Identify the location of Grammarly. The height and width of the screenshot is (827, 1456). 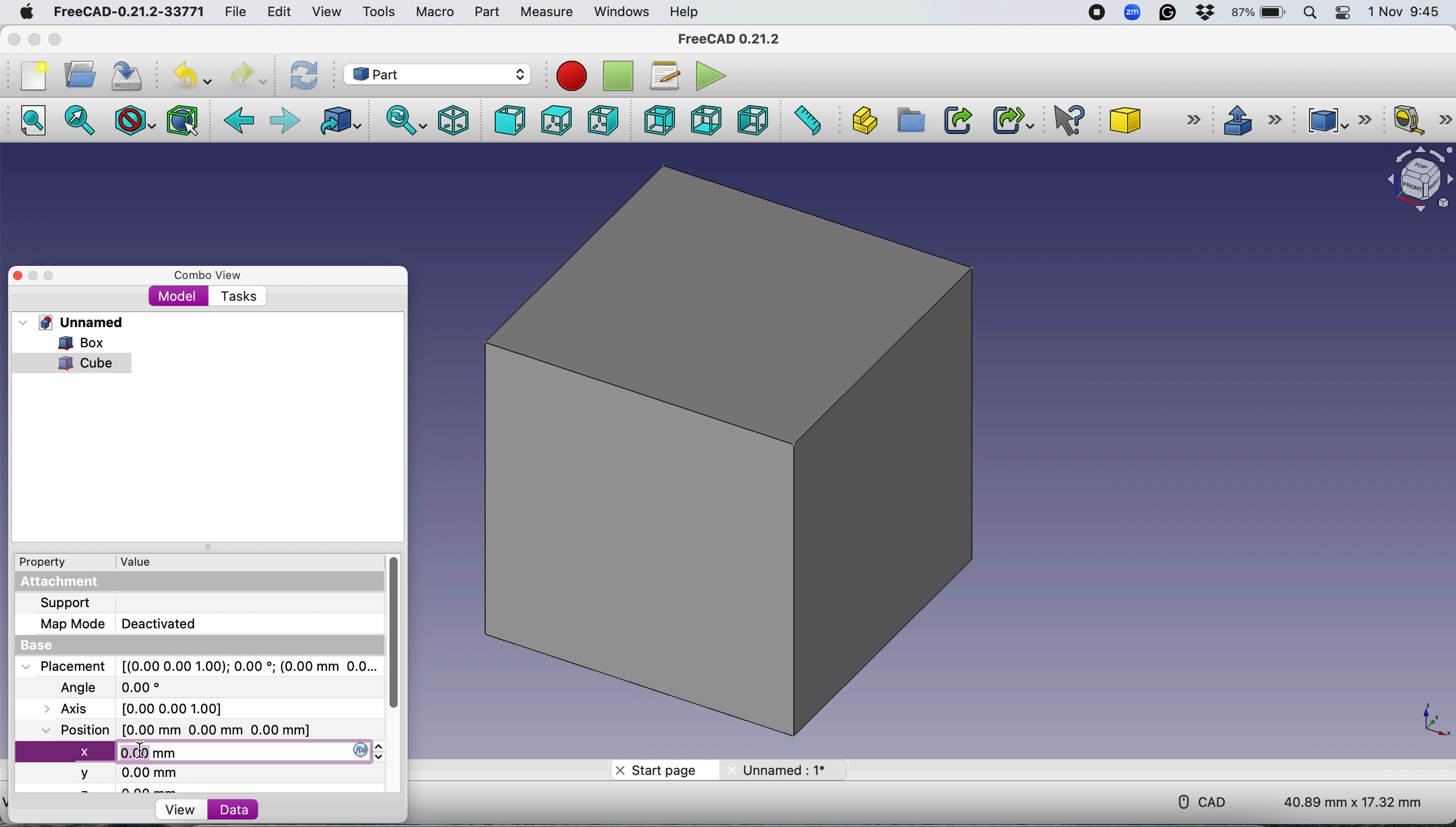
(1169, 12).